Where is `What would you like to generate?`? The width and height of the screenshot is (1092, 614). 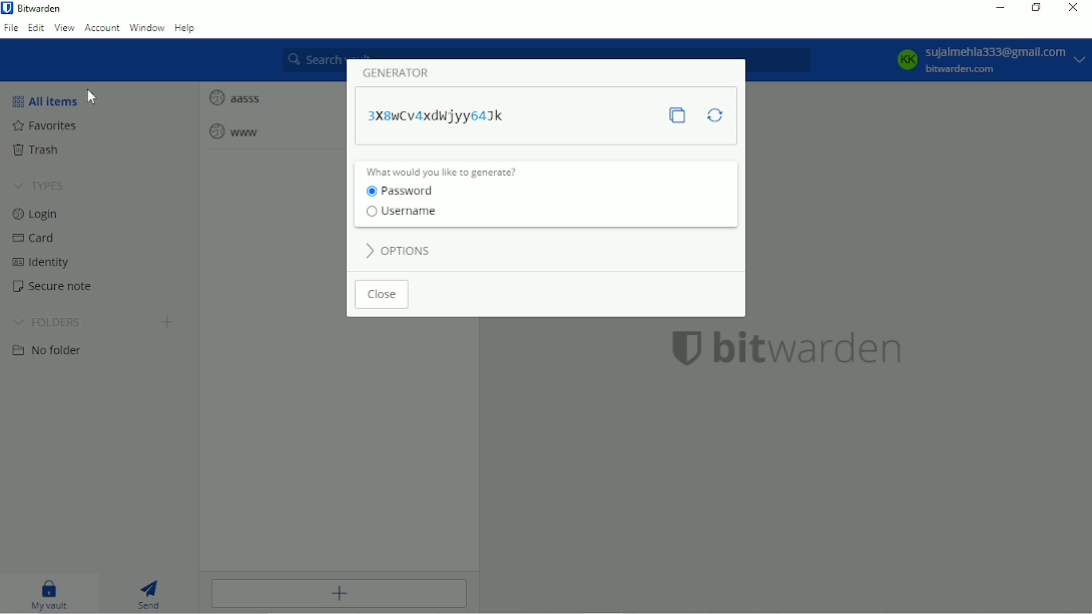 What would you like to generate? is located at coordinates (443, 171).